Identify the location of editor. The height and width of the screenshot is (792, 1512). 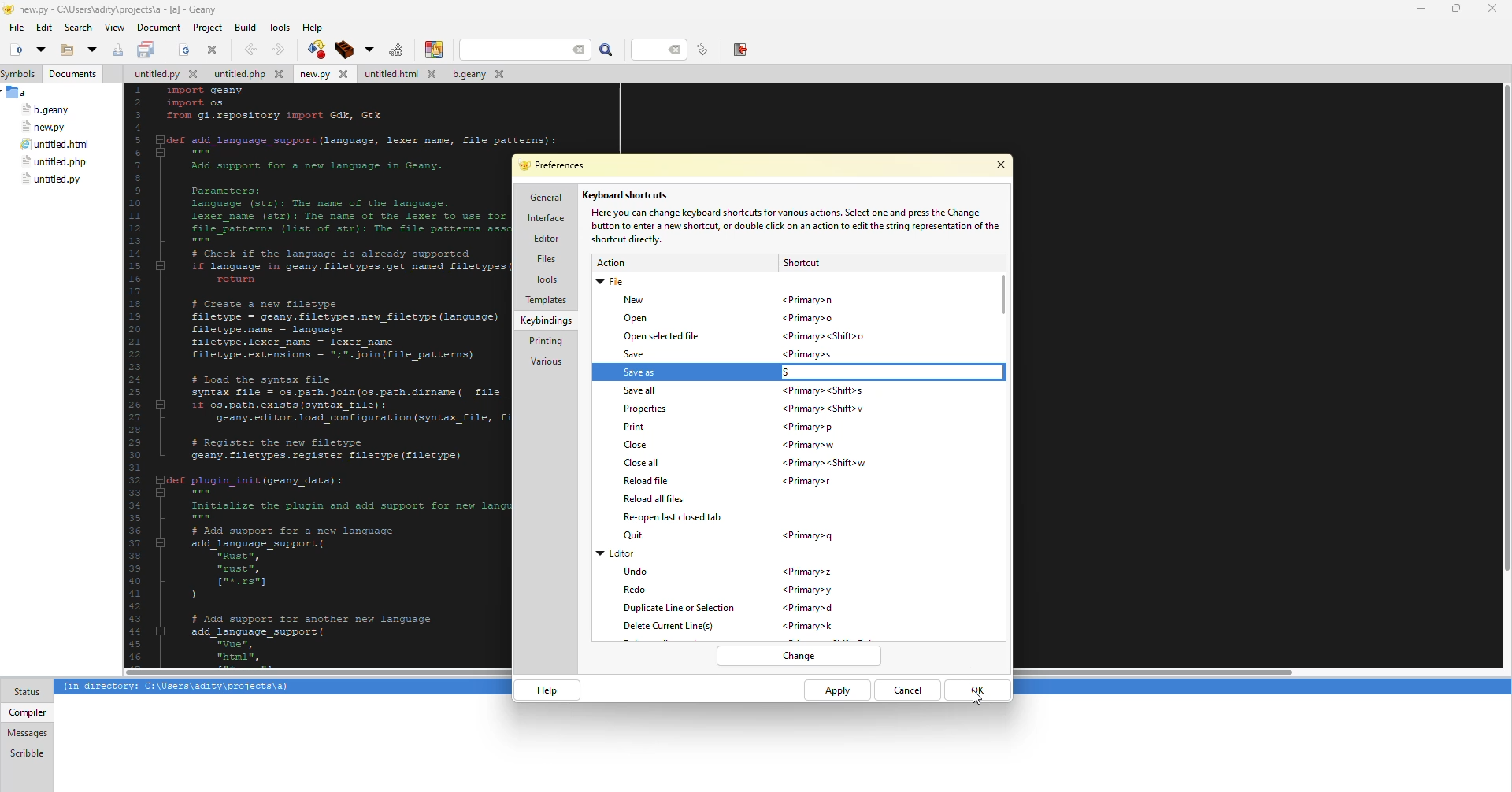
(544, 239).